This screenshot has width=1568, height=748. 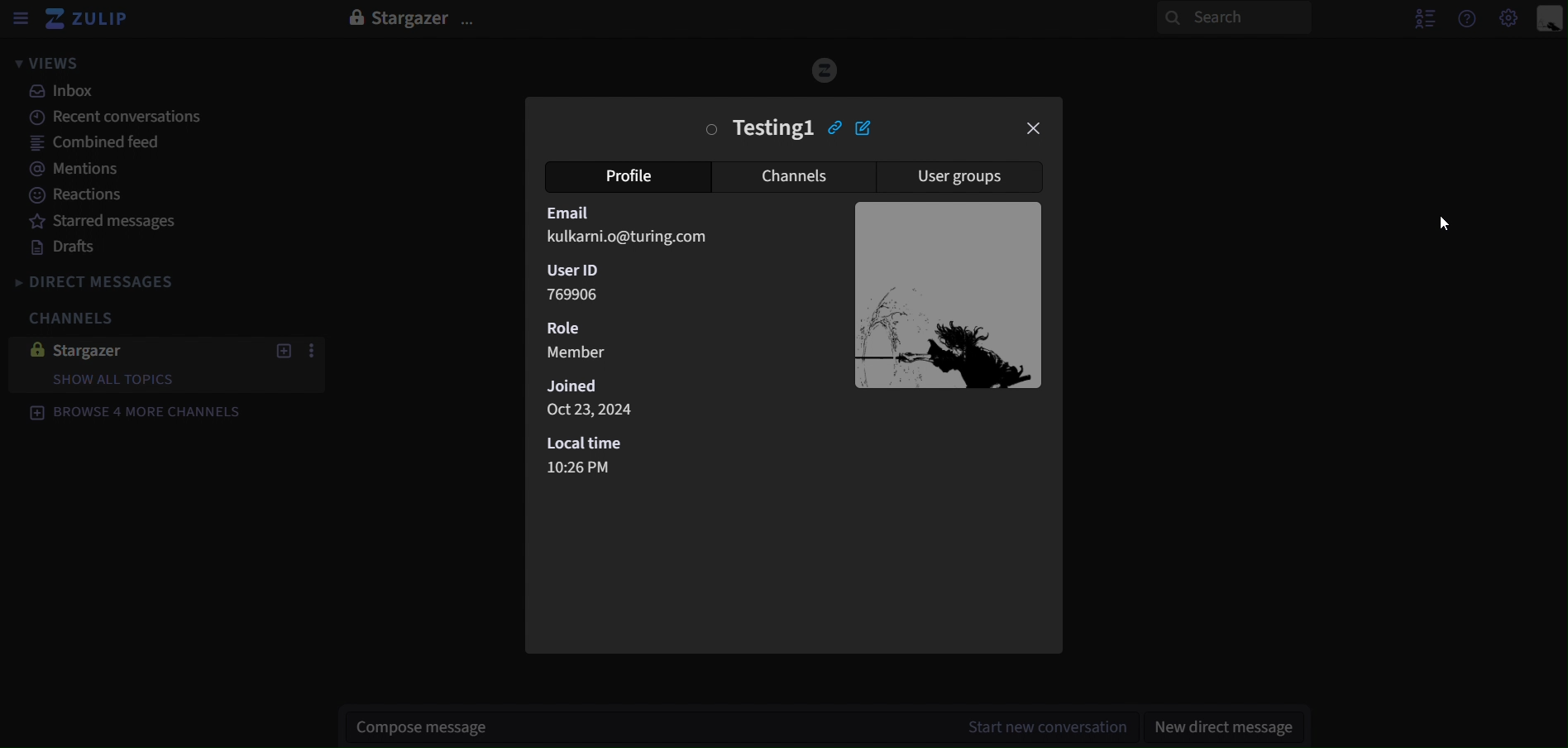 I want to click on combined feed, so click(x=109, y=145).